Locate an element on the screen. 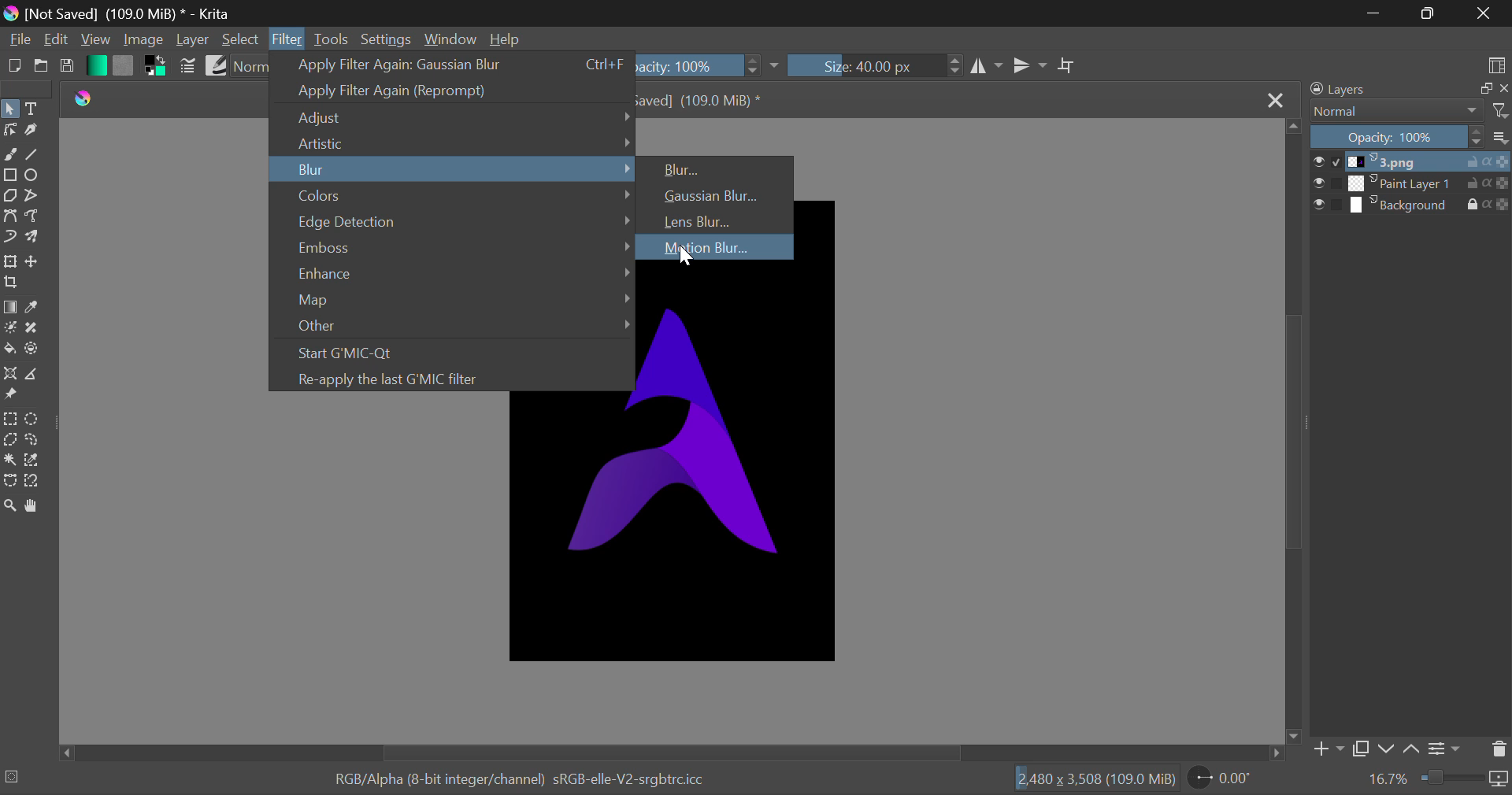 Image resolution: width=1512 pixels, height=795 pixels. Gaussian Blur is located at coordinates (714, 195).